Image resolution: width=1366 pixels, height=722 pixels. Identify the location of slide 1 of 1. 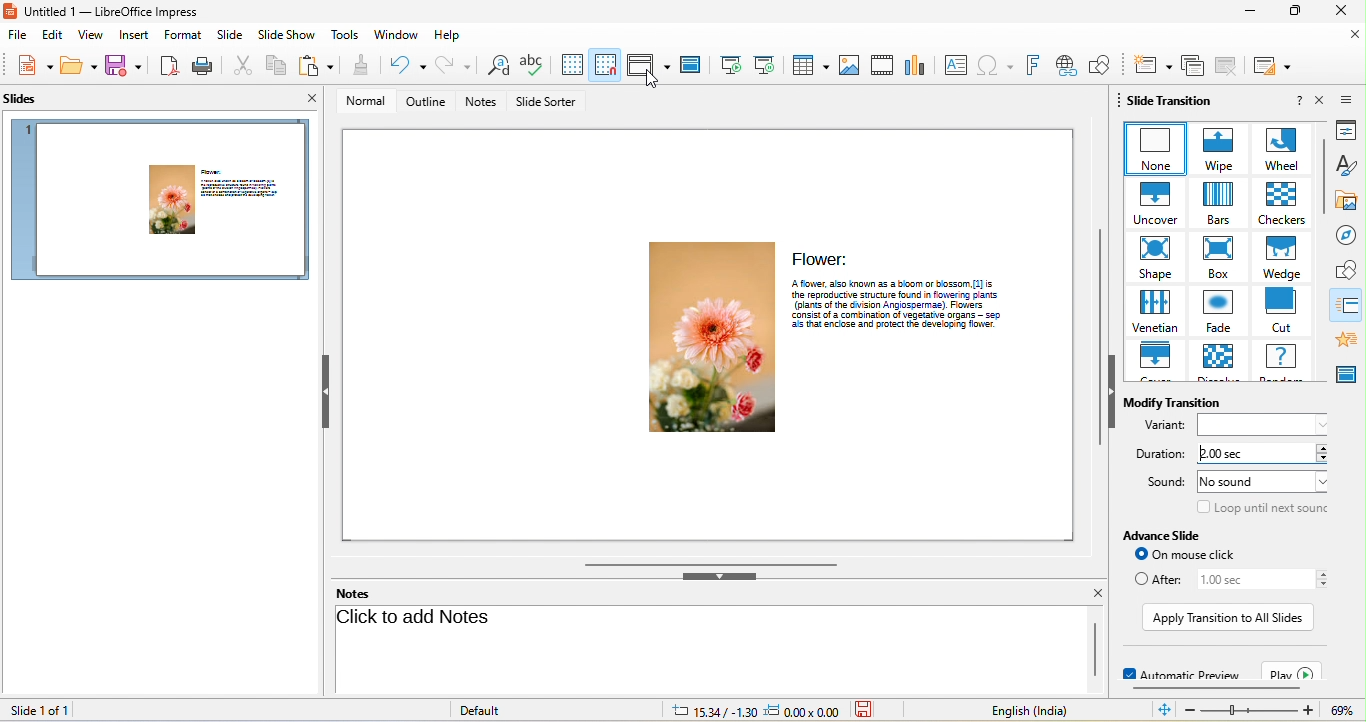
(38, 710).